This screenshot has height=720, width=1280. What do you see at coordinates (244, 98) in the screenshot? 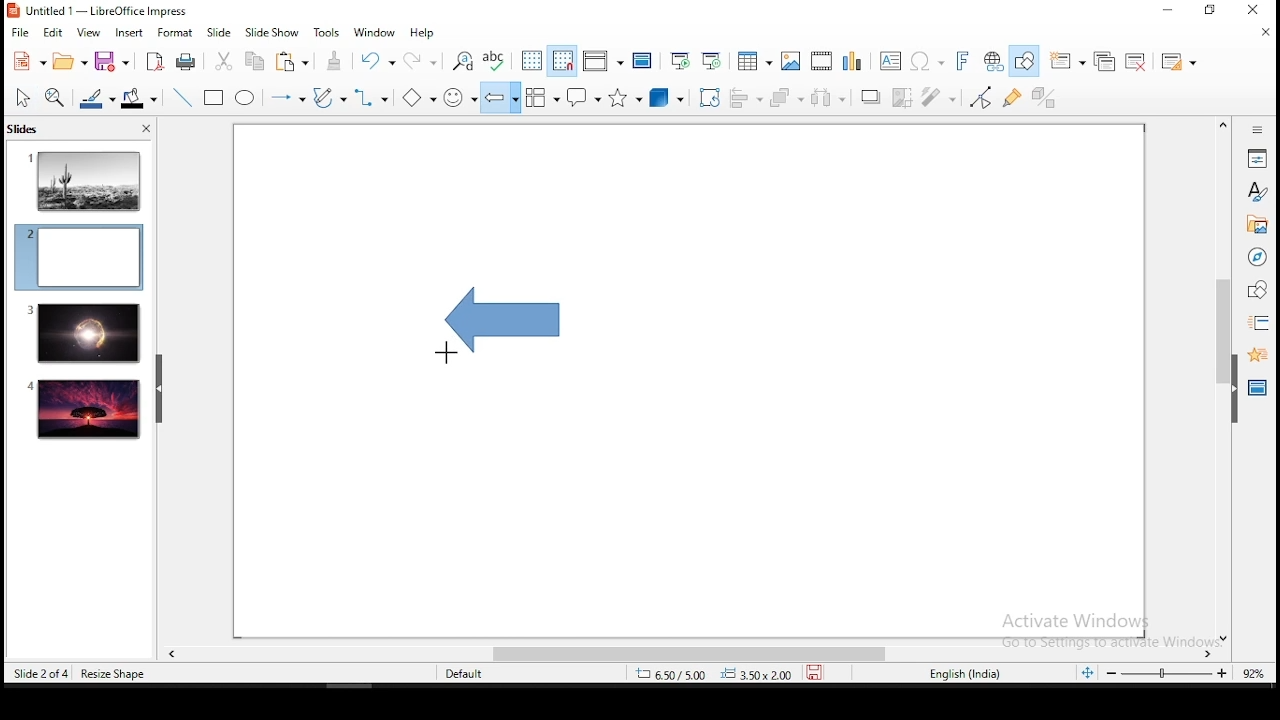
I see `ellipse` at bounding box center [244, 98].